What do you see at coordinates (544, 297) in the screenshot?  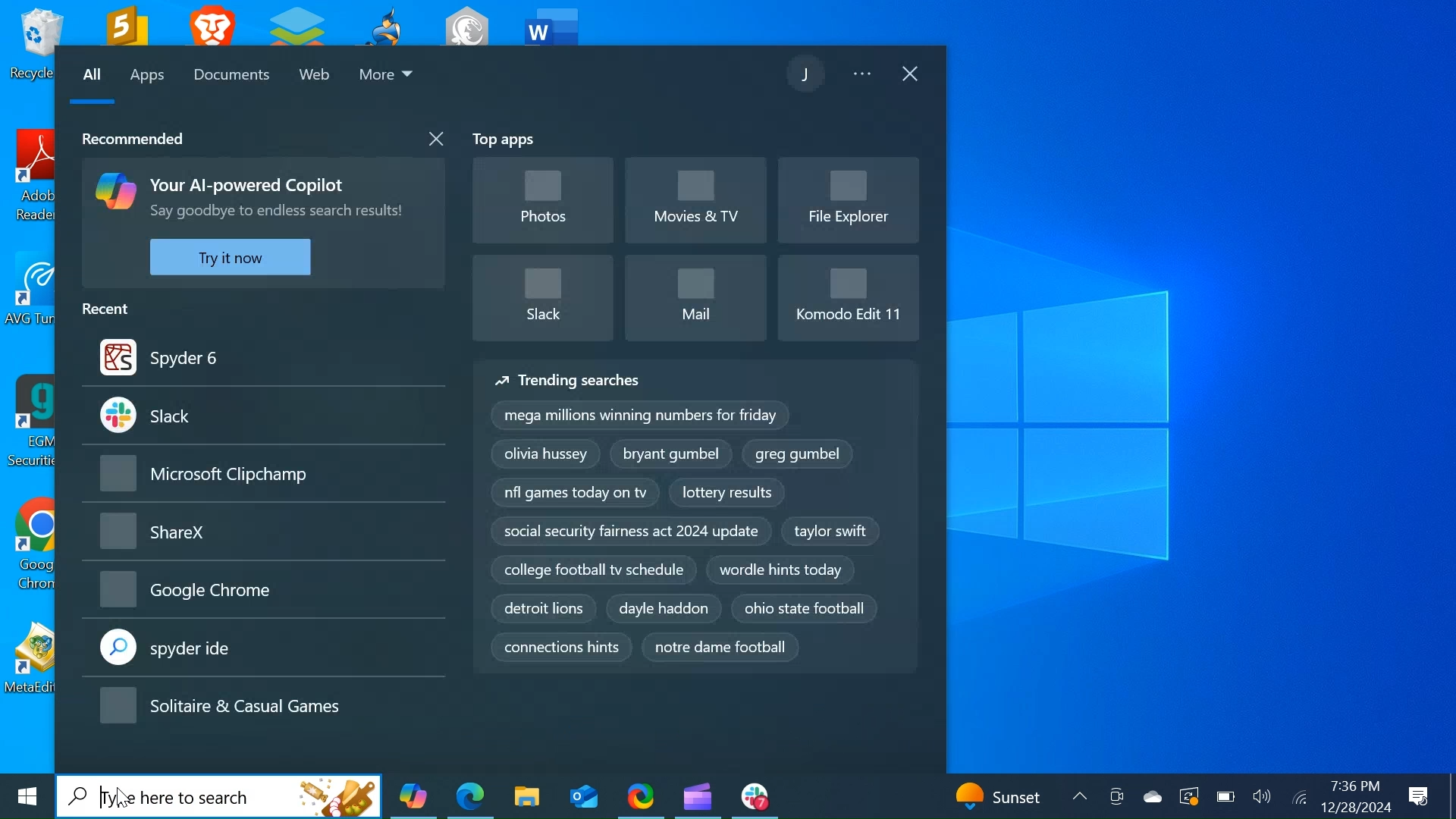 I see `Slack` at bounding box center [544, 297].